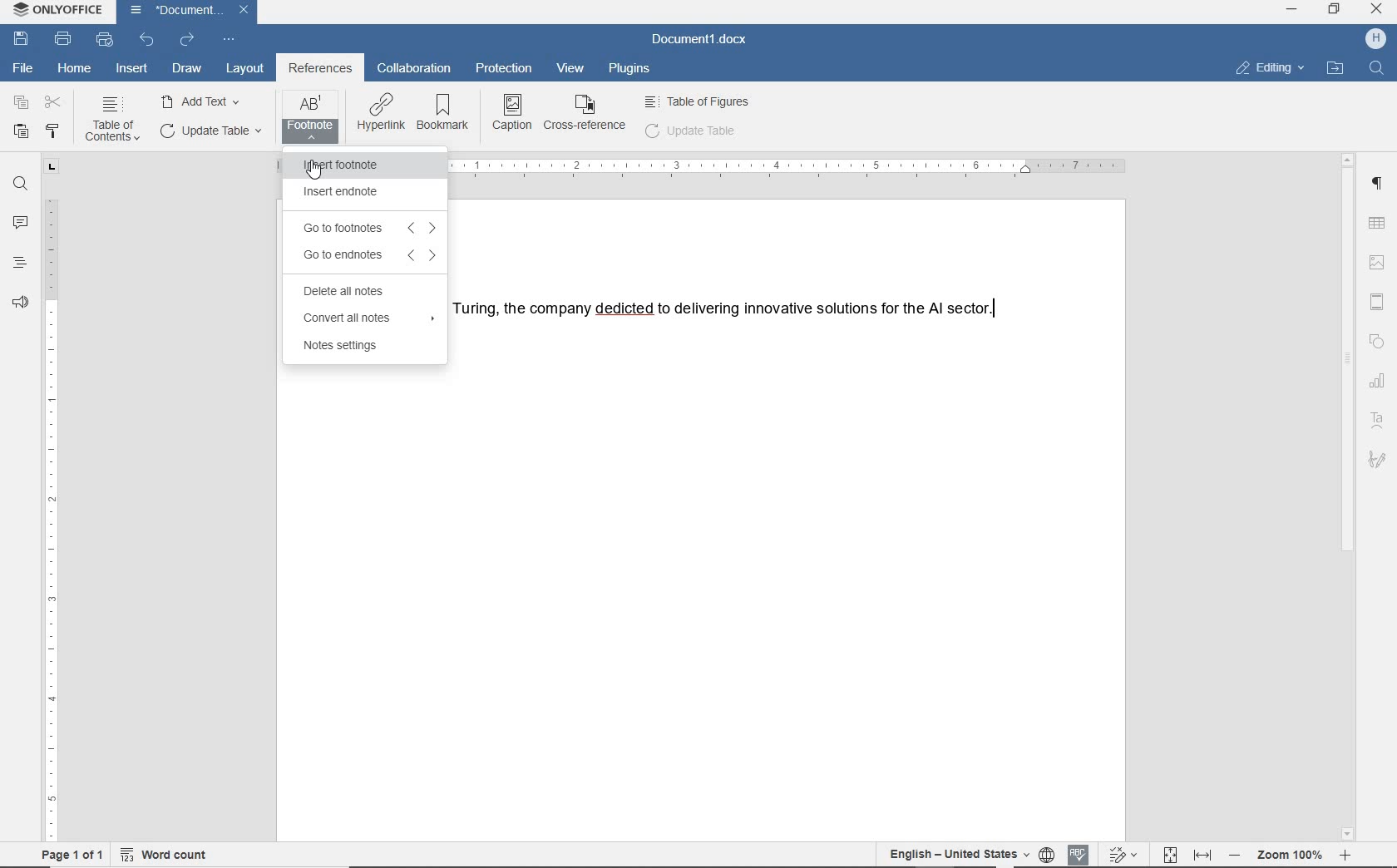  What do you see at coordinates (348, 165) in the screenshot?
I see `insert footnote` at bounding box center [348, 165].